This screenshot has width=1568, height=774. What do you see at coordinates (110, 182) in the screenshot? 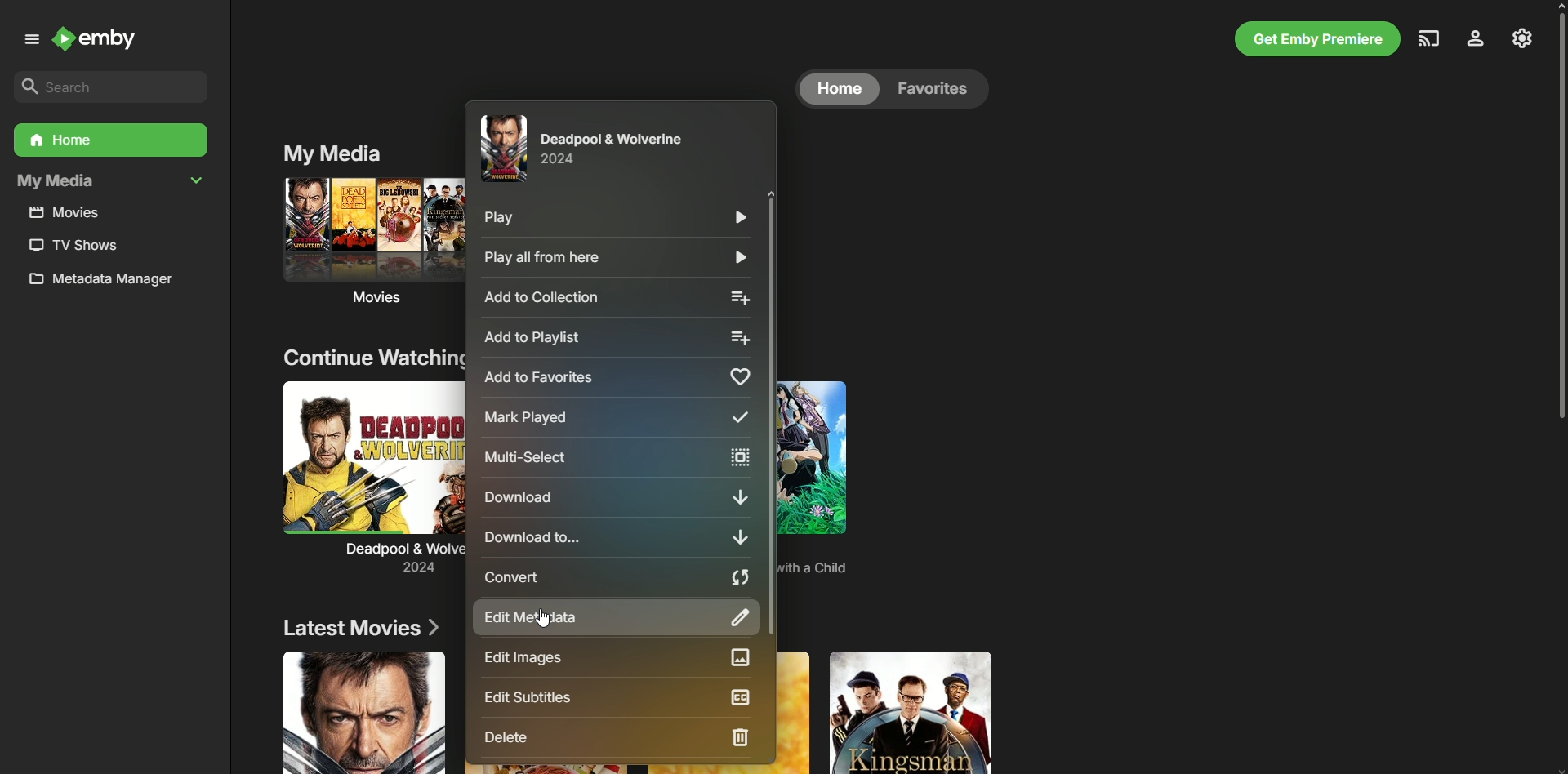
I see `My Media` at bounding box center [110, 182].